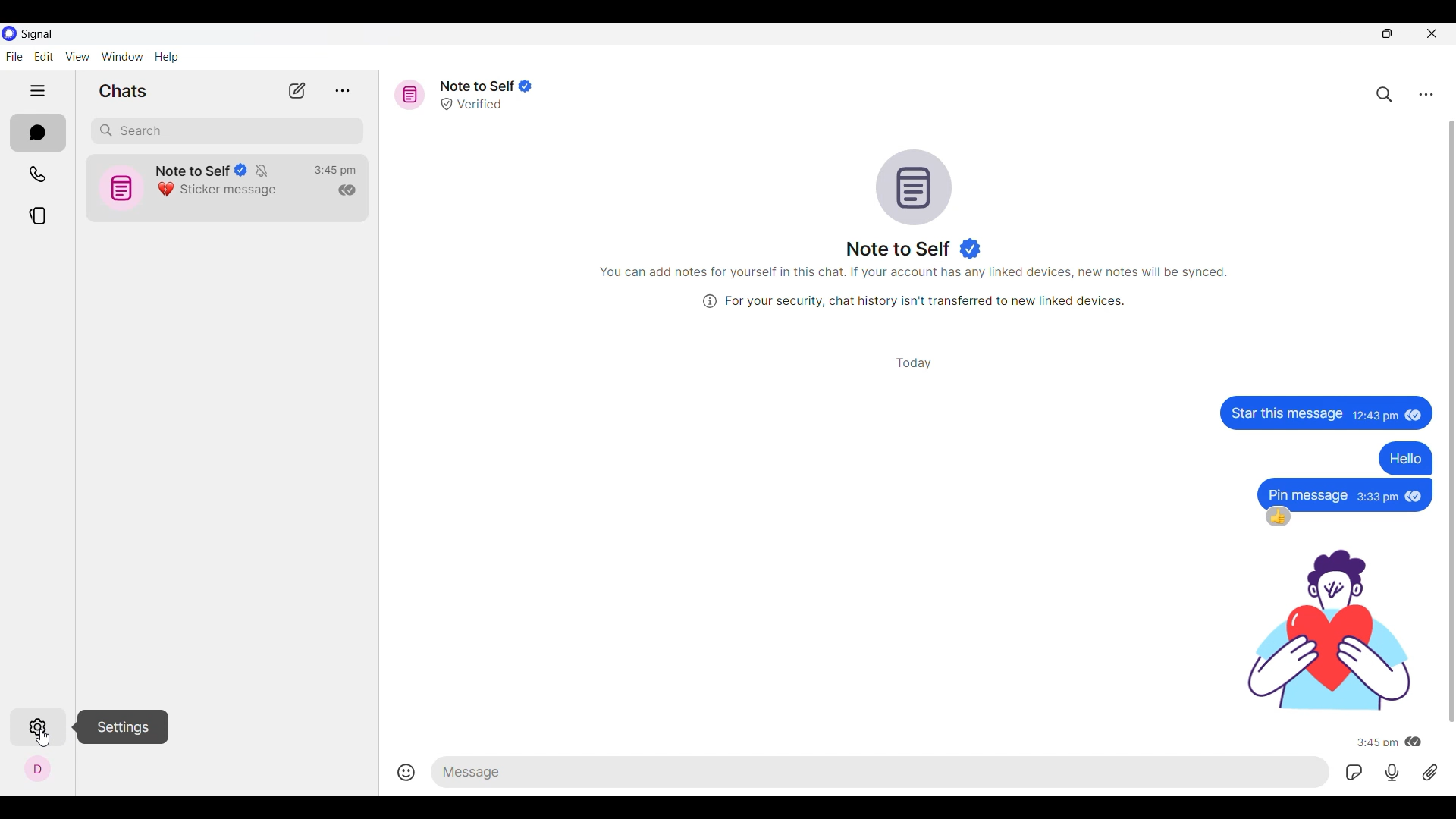 This screenshot has height=819, width=1456. I want to click on gif, so click(1326, 629).